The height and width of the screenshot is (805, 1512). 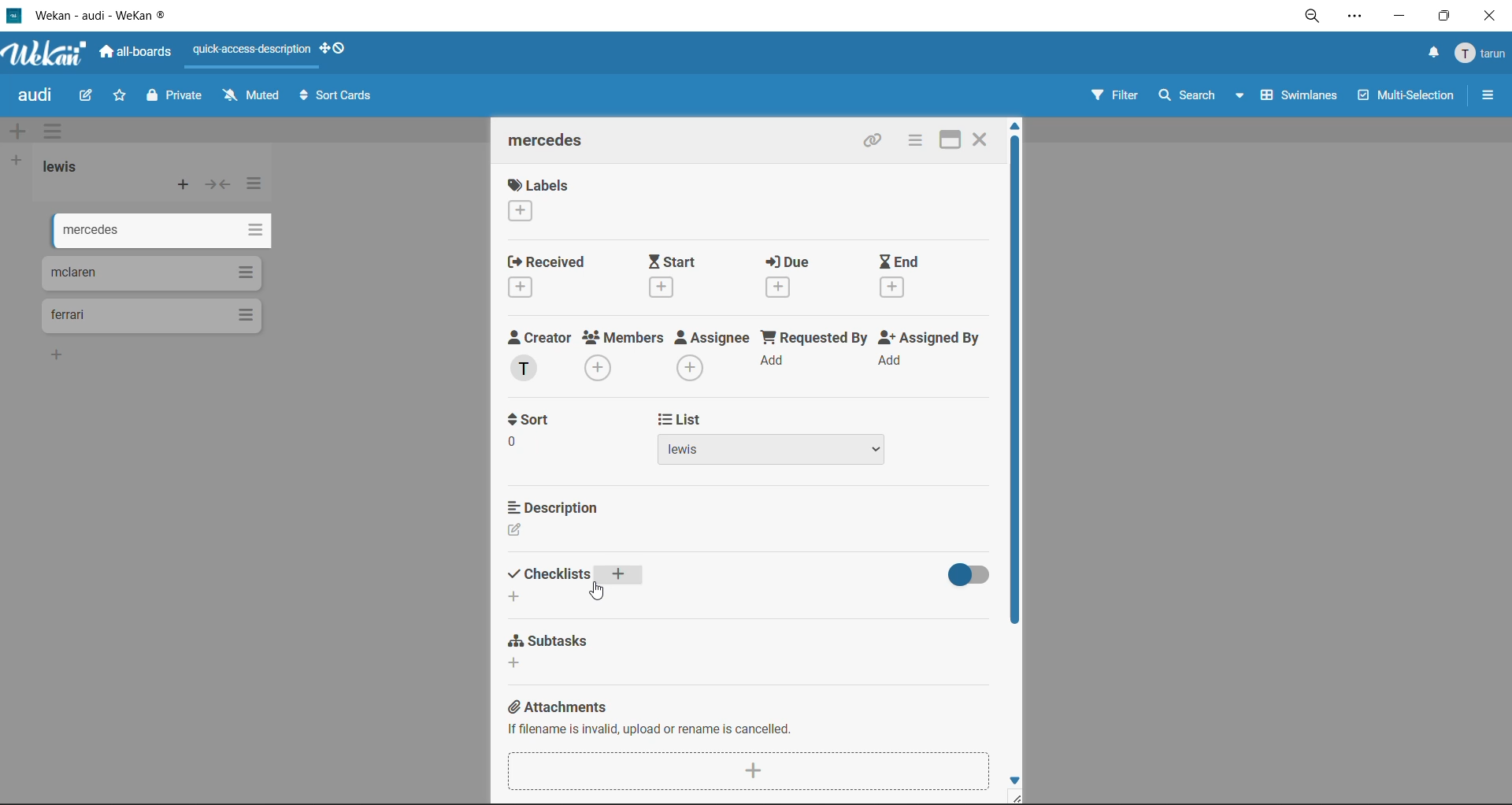 What do you see at coordinates (1407, 98) in the screenshot?
I see `multiselection` at bounding box center [1407, 98].